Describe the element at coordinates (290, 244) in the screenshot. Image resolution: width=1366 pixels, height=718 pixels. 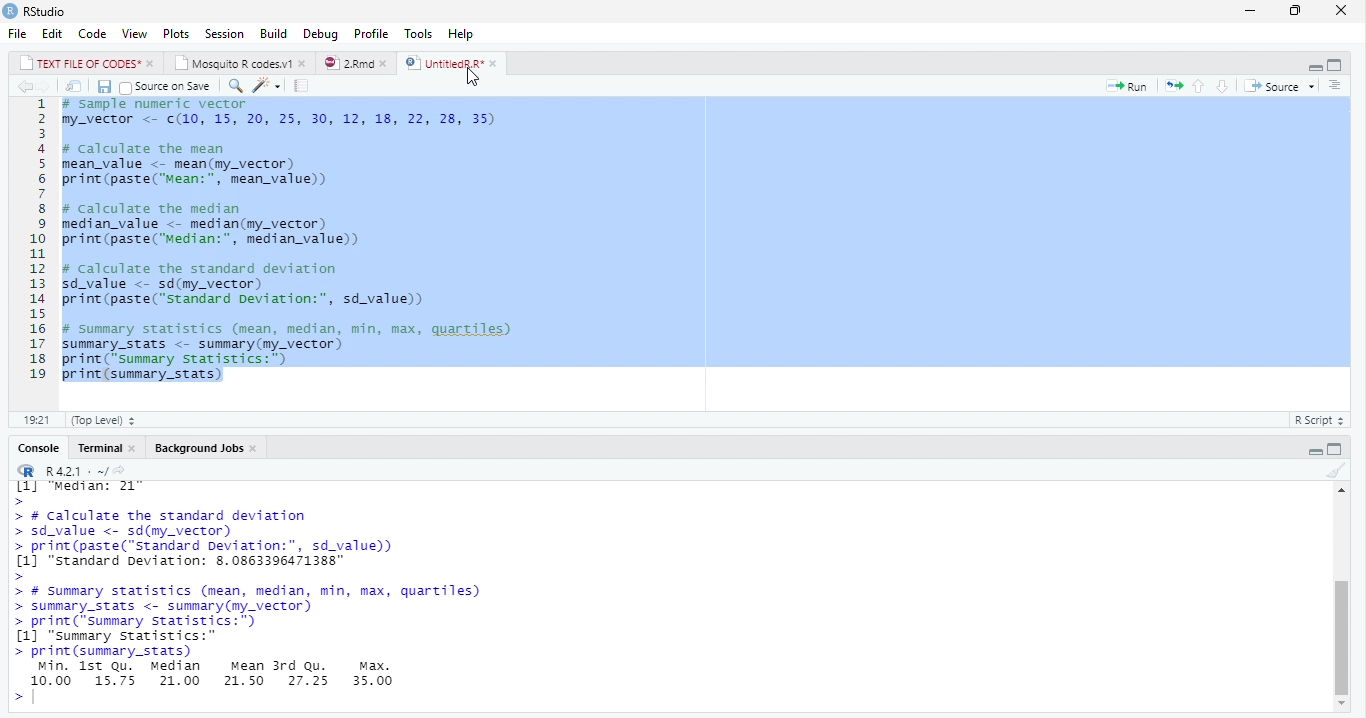
I see `# Sample numeric vector my_vector <- c(10, 15, 20, 25, 30, 12, 18, 22, 28, 35)# Calculate the meannean_value <- mean (my_vector)print (paste("Mean:", mean_value))# Calculate the mediannedian_value <- median(ny_vector)print (paste("Median:”, median_value))# Calculate the standard deviationsd_value <- sd(my_vector)print (paste("standard Deviation:", sd_value))# summary statistics (mean, median, min, max, quartiles)summary_stats <- summary (my_vector)print (“Summary statistics: )print (sunmary_stats)` at that location.